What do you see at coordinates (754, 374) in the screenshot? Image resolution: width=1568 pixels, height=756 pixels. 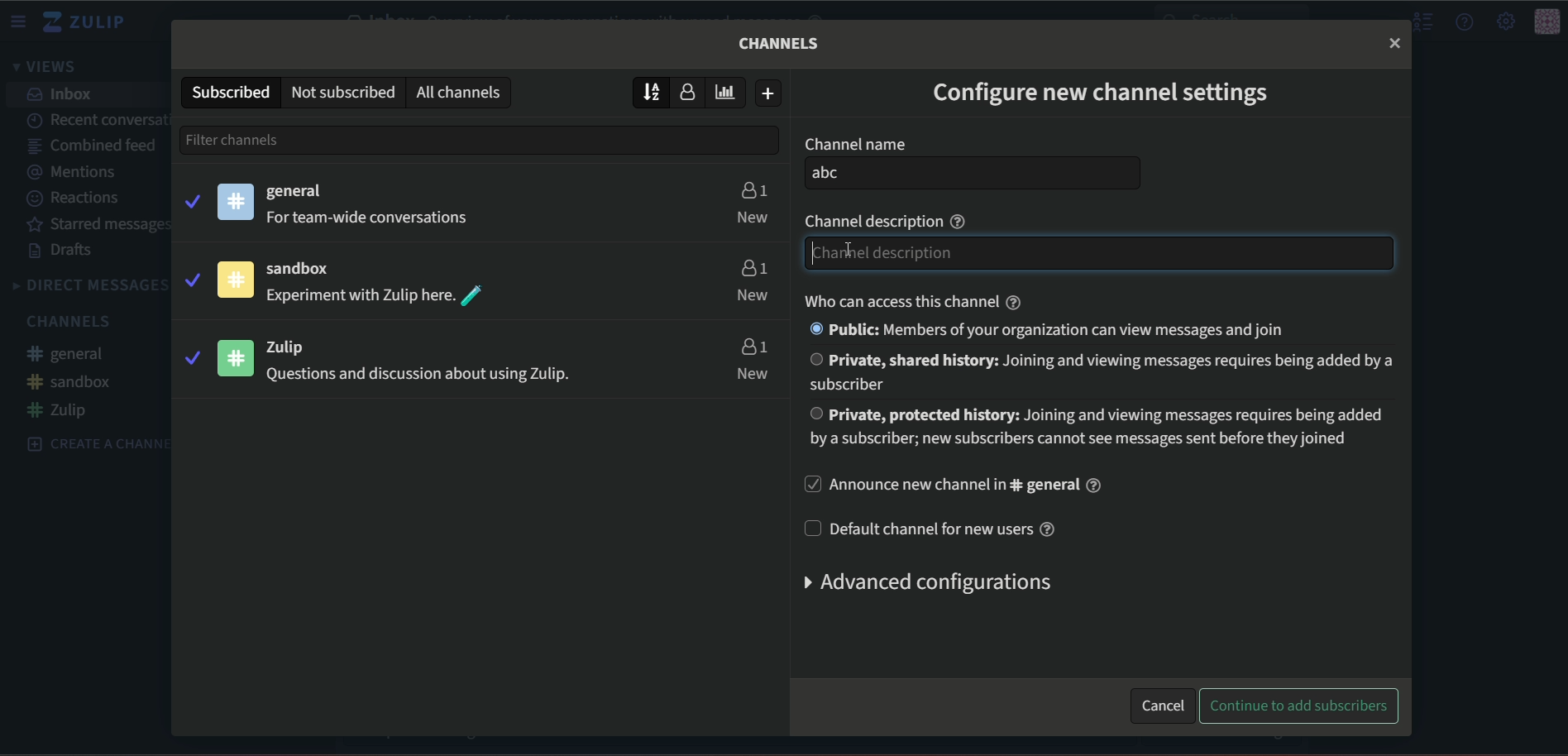 I see `new` at bounding box center [754, 374].